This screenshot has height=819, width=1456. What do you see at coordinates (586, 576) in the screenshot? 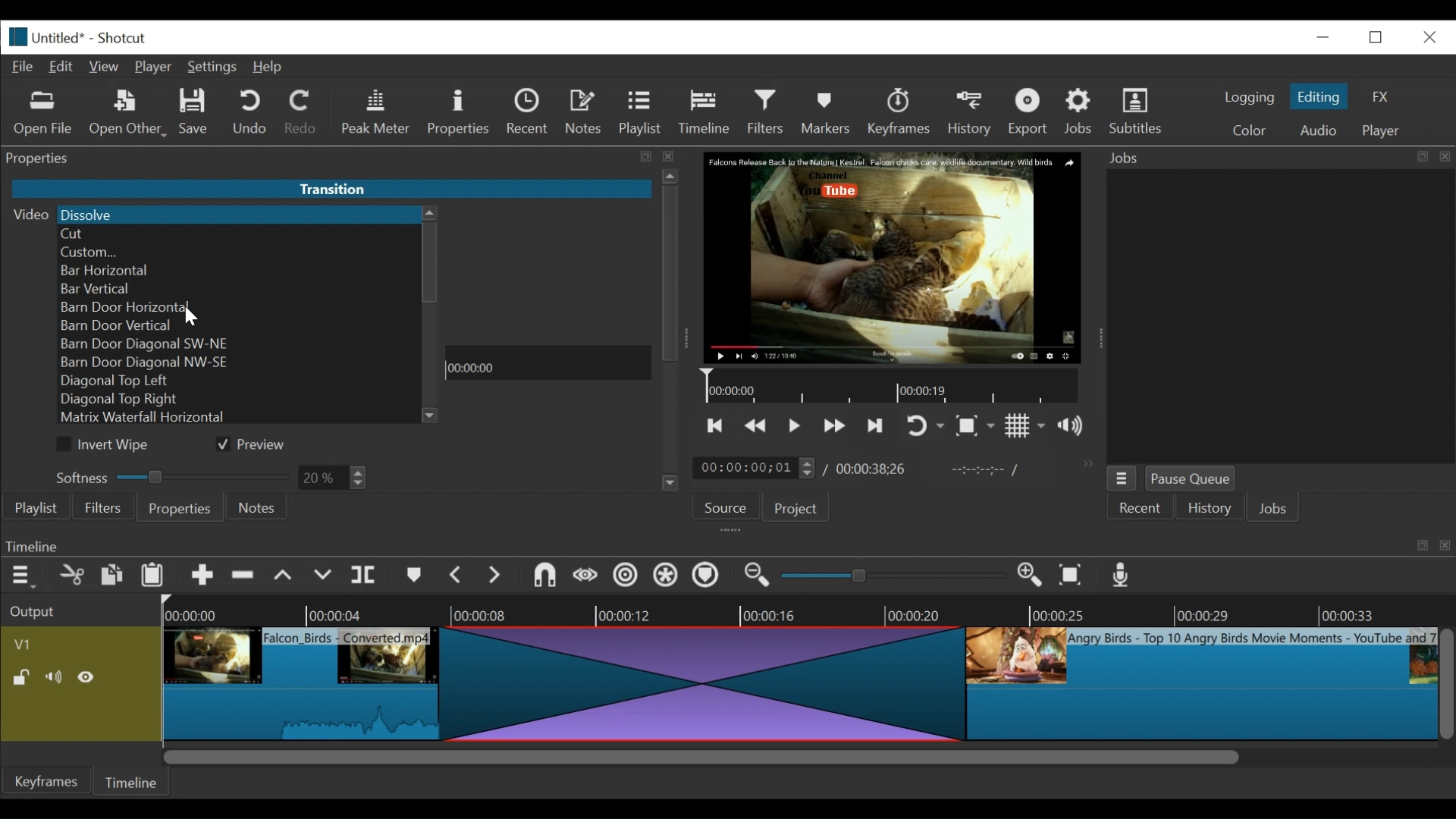
I see `scrub while dragging` at bounding box center [586, 576].